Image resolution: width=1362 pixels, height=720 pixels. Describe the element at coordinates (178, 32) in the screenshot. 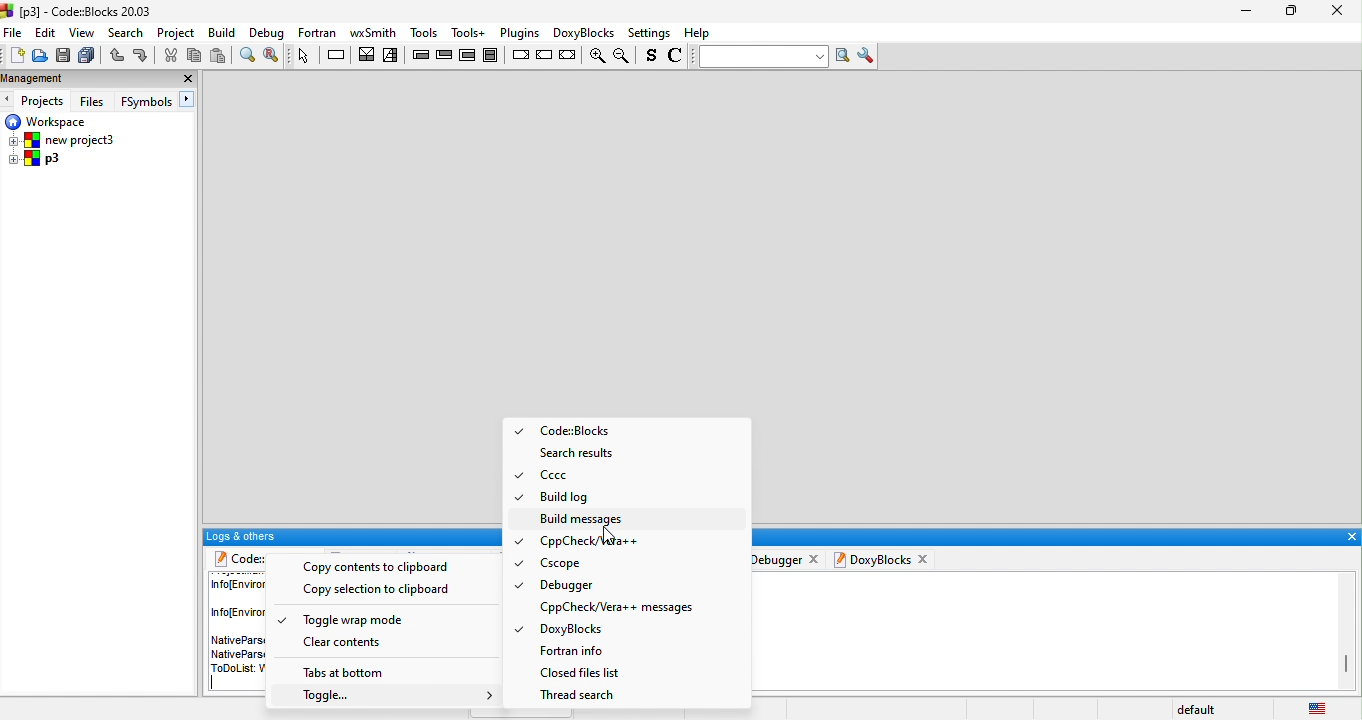

I see `project` at that location.